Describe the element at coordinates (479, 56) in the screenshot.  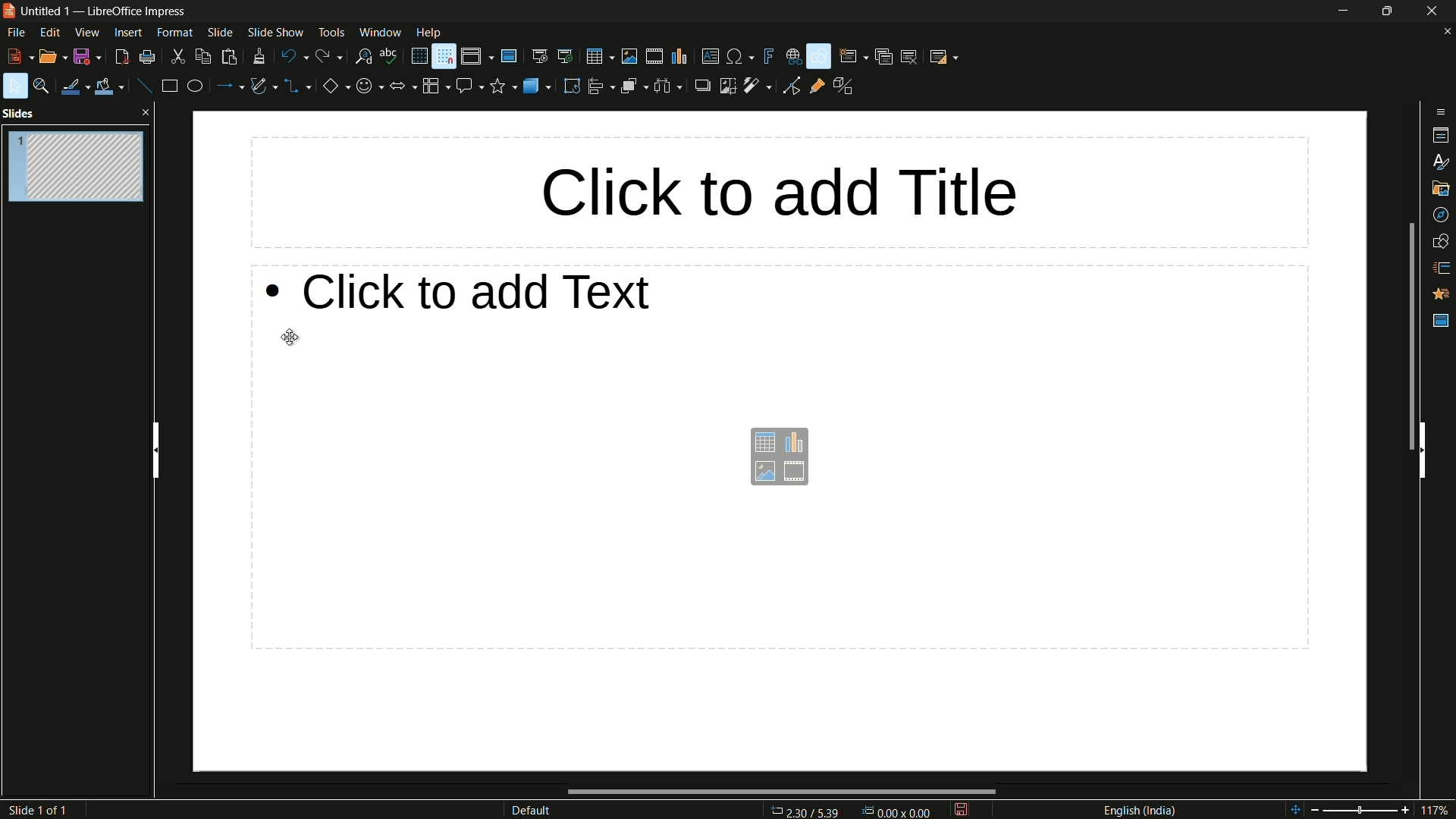
I see `display views` at that location.